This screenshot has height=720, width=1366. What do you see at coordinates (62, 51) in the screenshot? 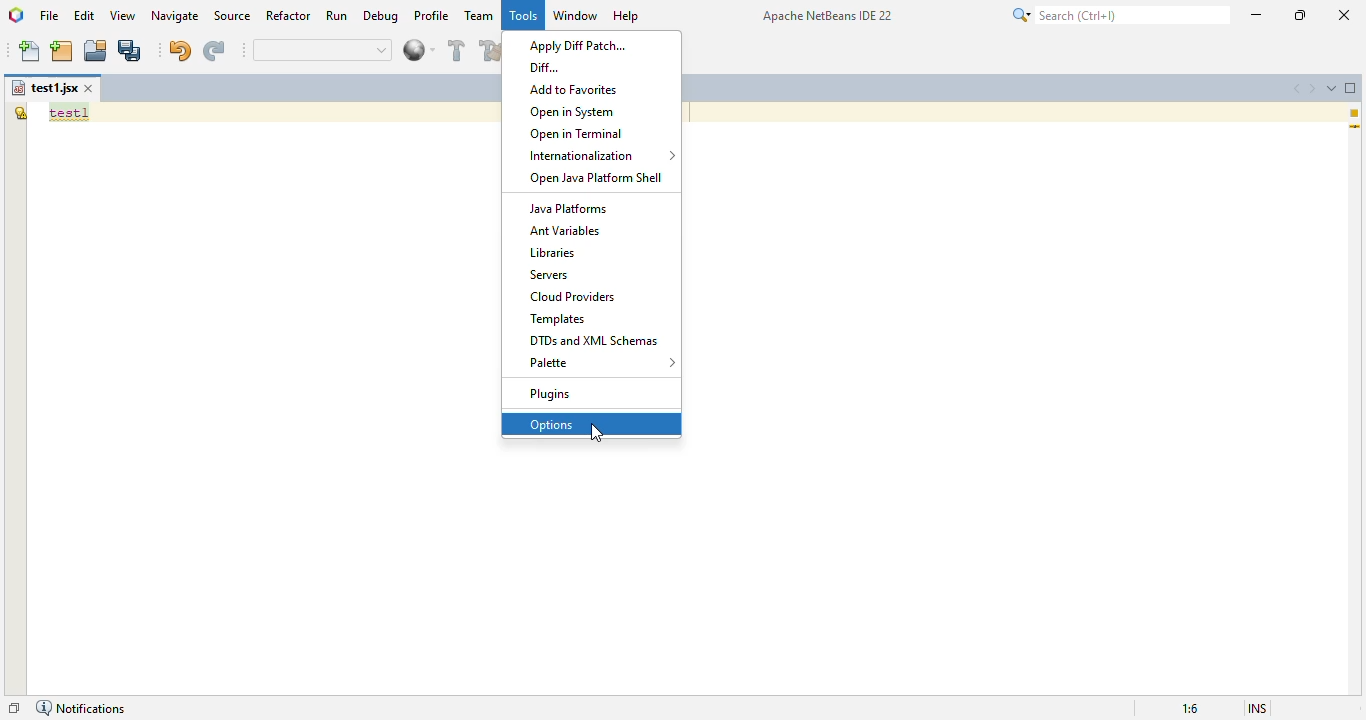
I see `new project` at bounding box center [62, 51].